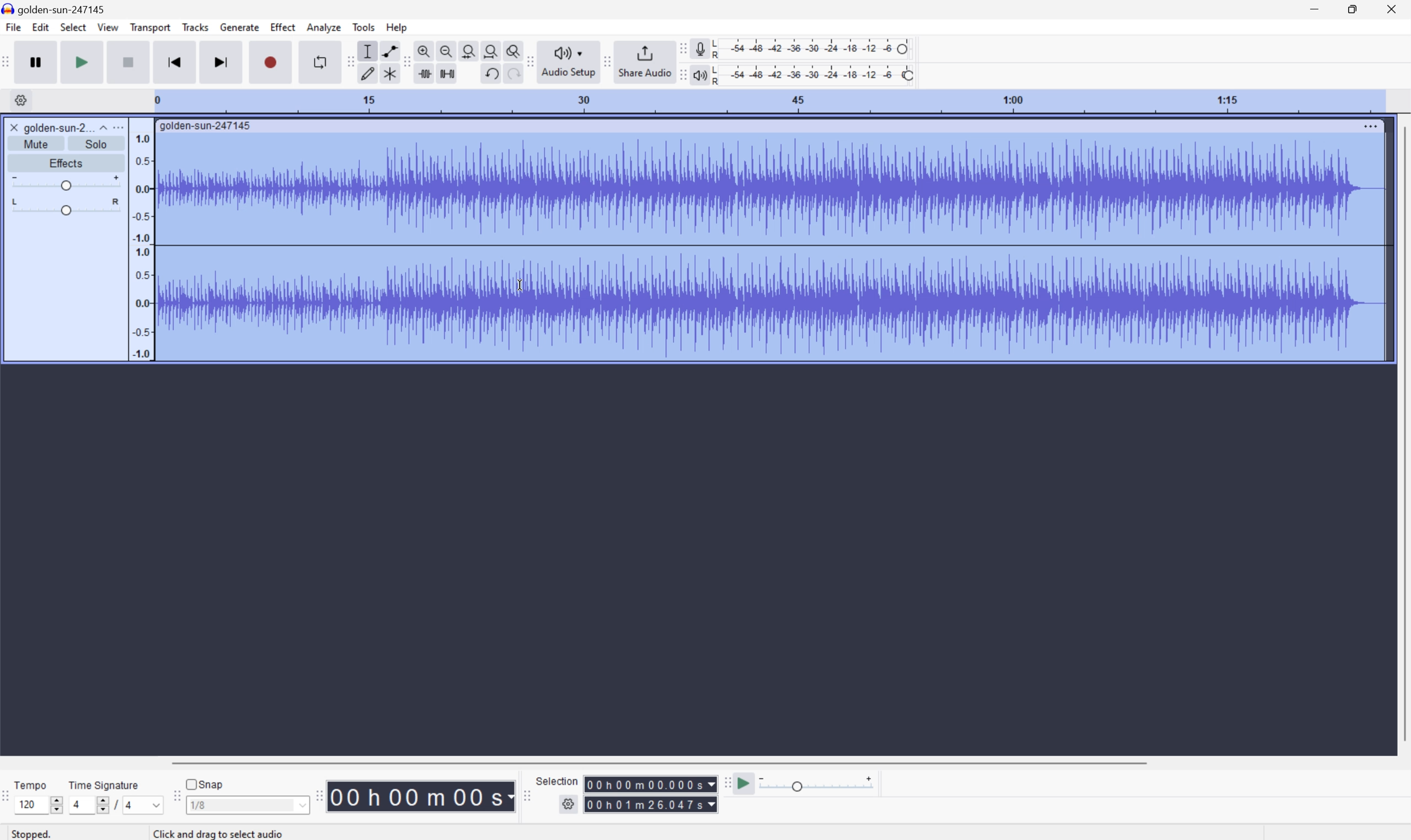 Image resolution: width=1411 pixels, height=840 pixels. Describe the element at coordinates (36, 144) in the screenshot. I see `Mute` at that location.